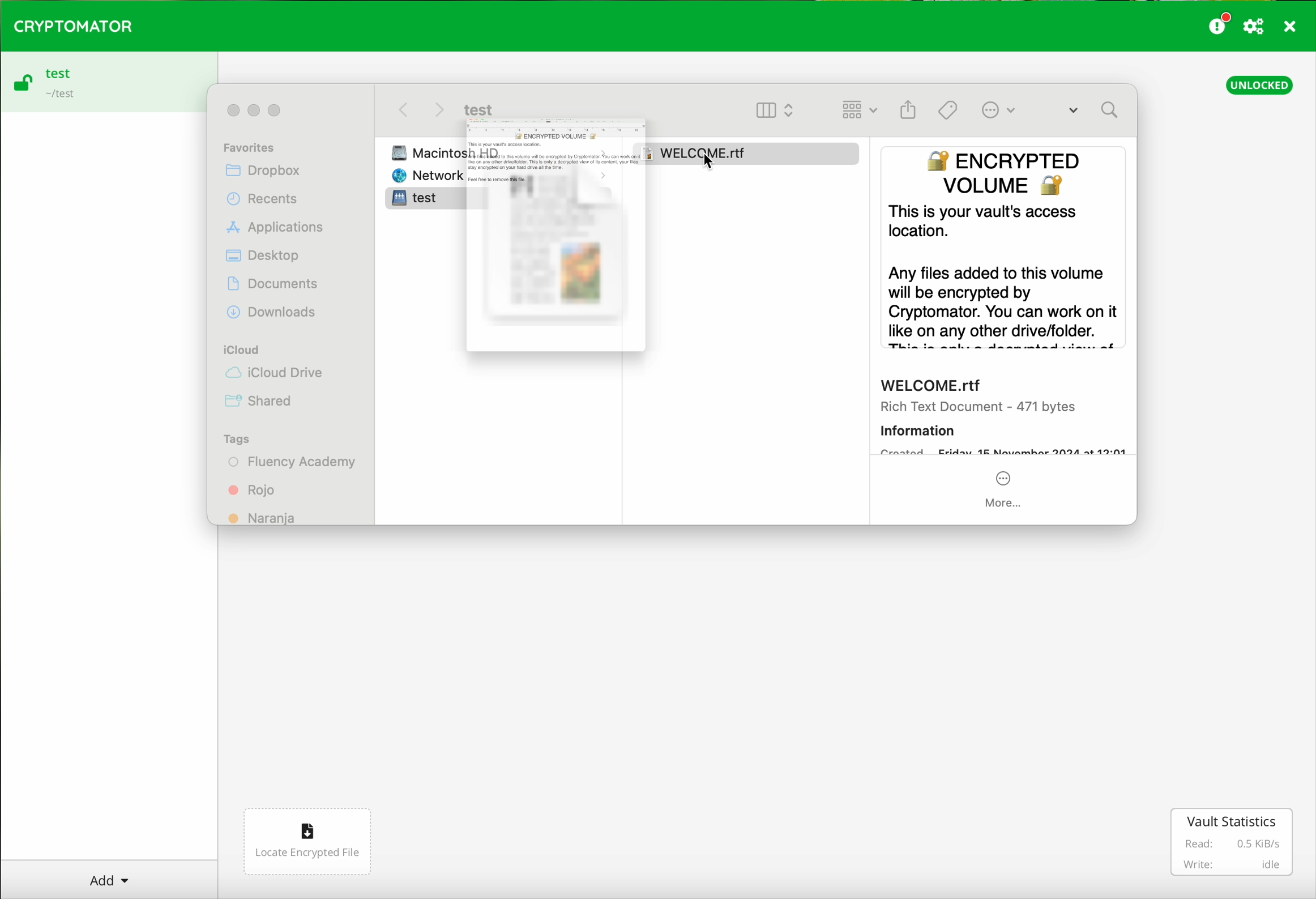 The width and height of the screenshot is (1316, 899). Describe the element at coordinates (291, 462) in the screenshot. I see `Fluency Academy` at that location.